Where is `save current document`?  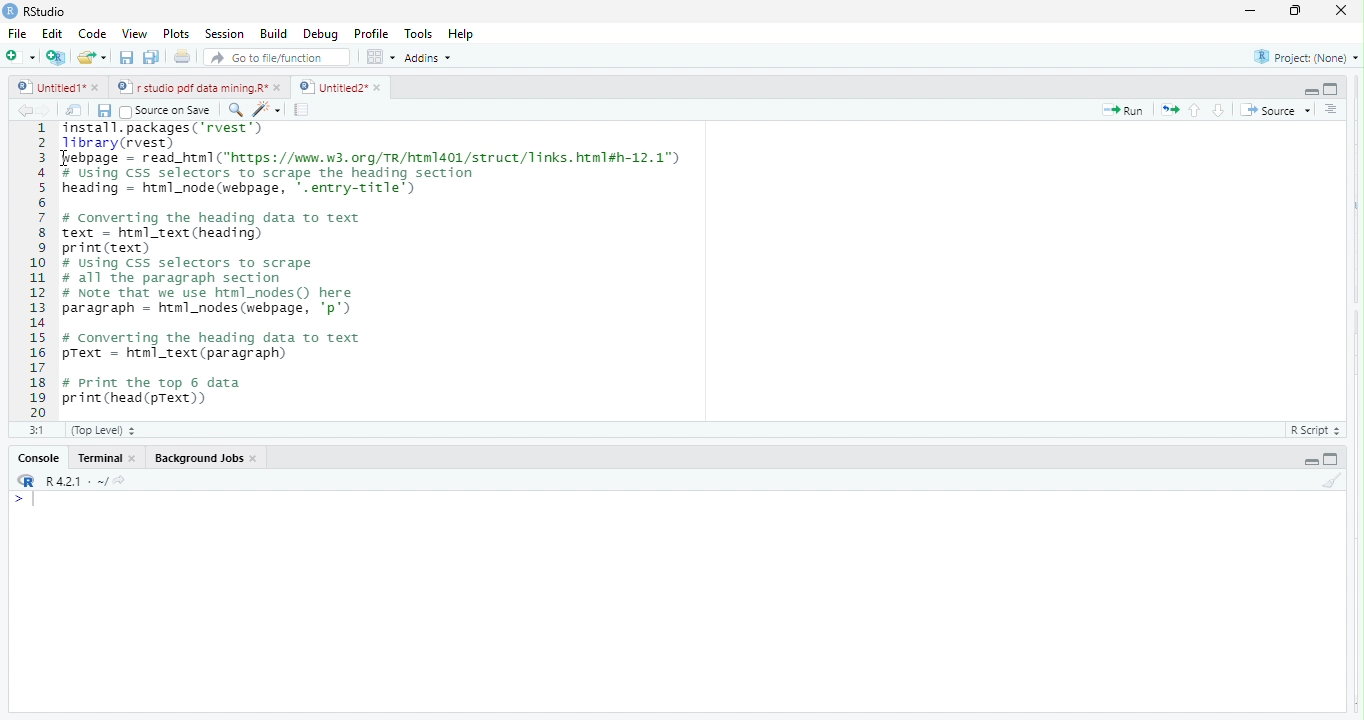 save current document is located at coordinates (126, 58).